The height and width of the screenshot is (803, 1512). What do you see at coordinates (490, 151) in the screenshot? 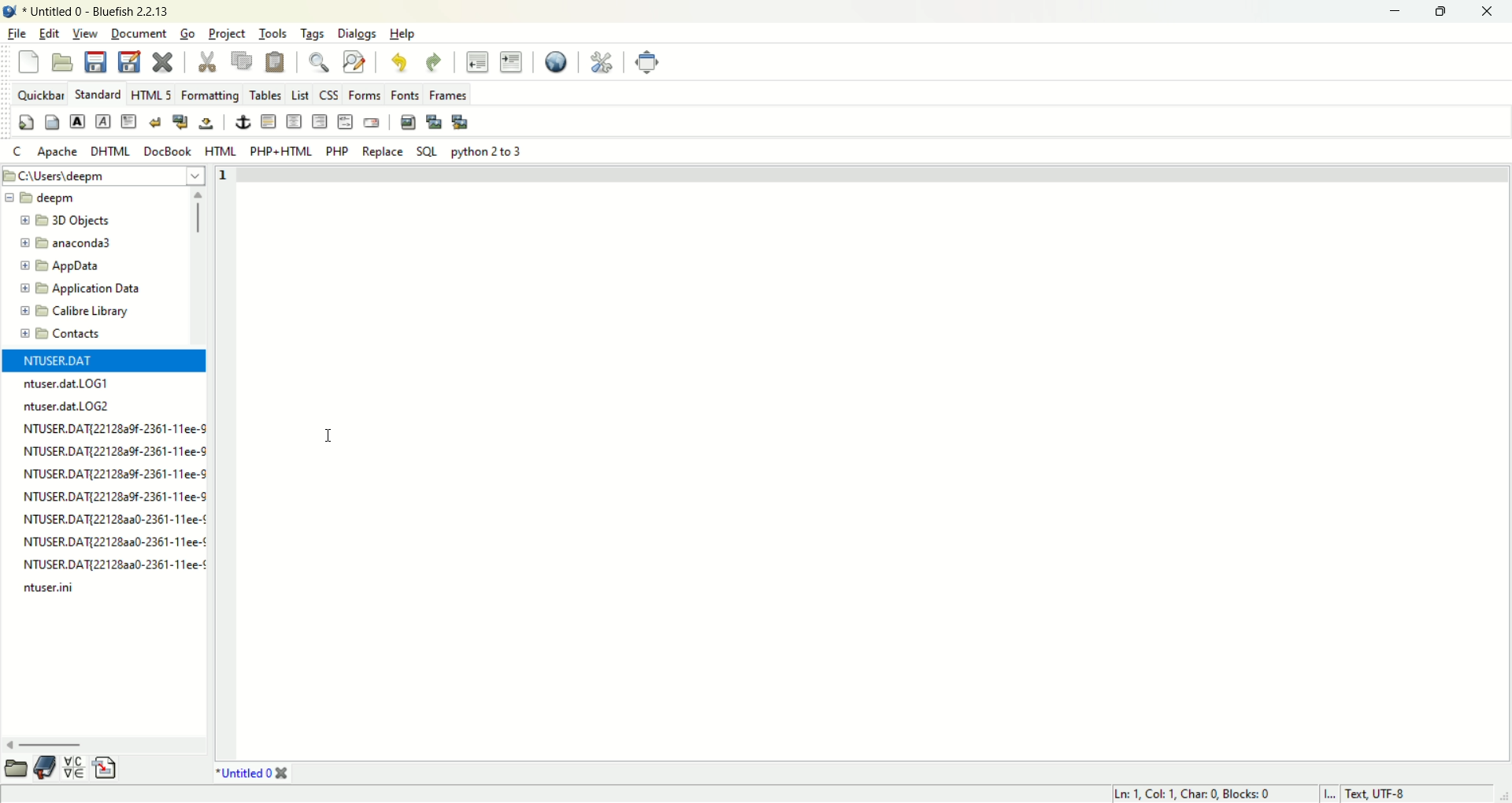
I see `Python 2 to 3` at bounding box center [490, 151].